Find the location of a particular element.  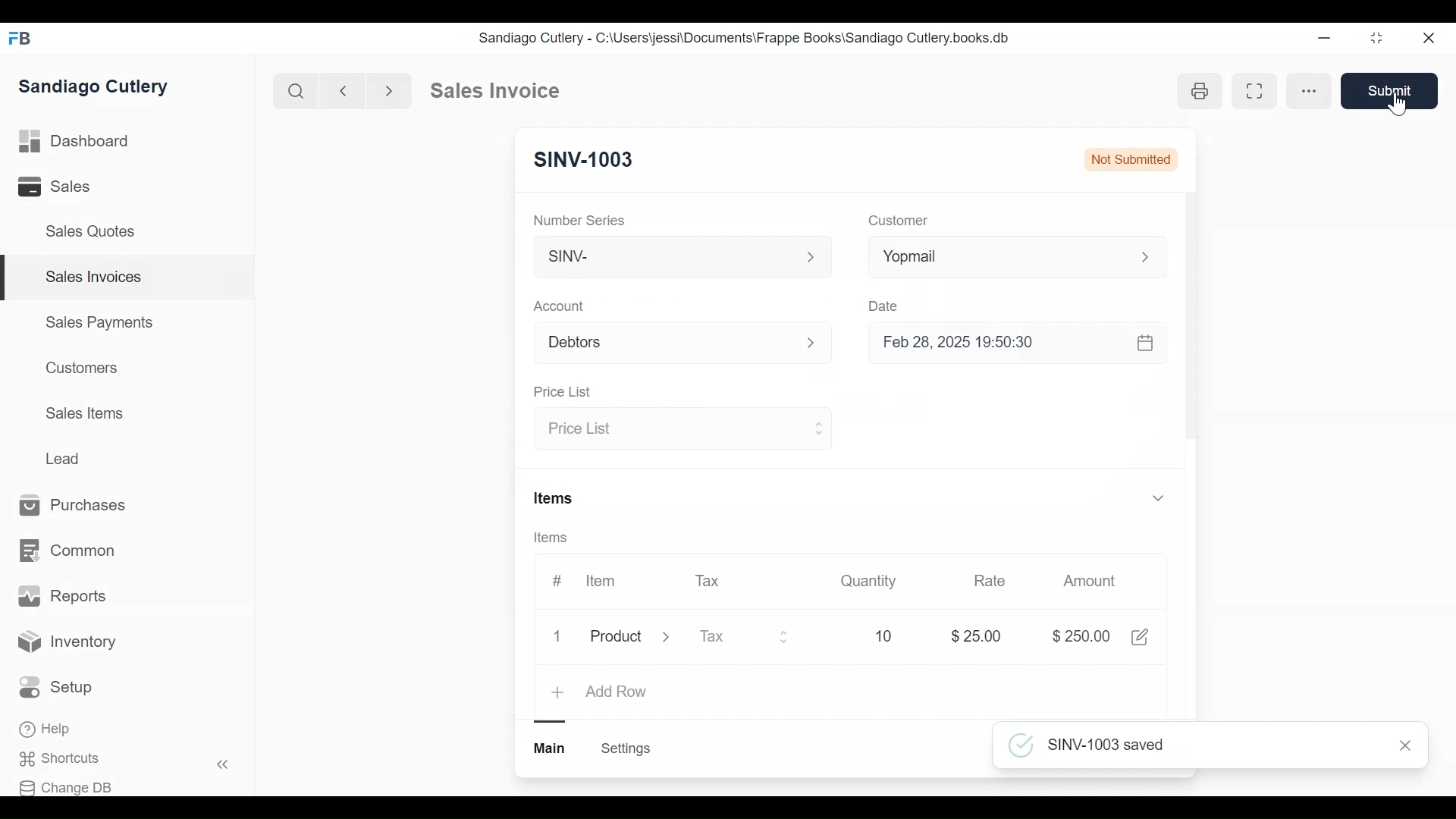

Change DB is located at coordinates (66, 788).